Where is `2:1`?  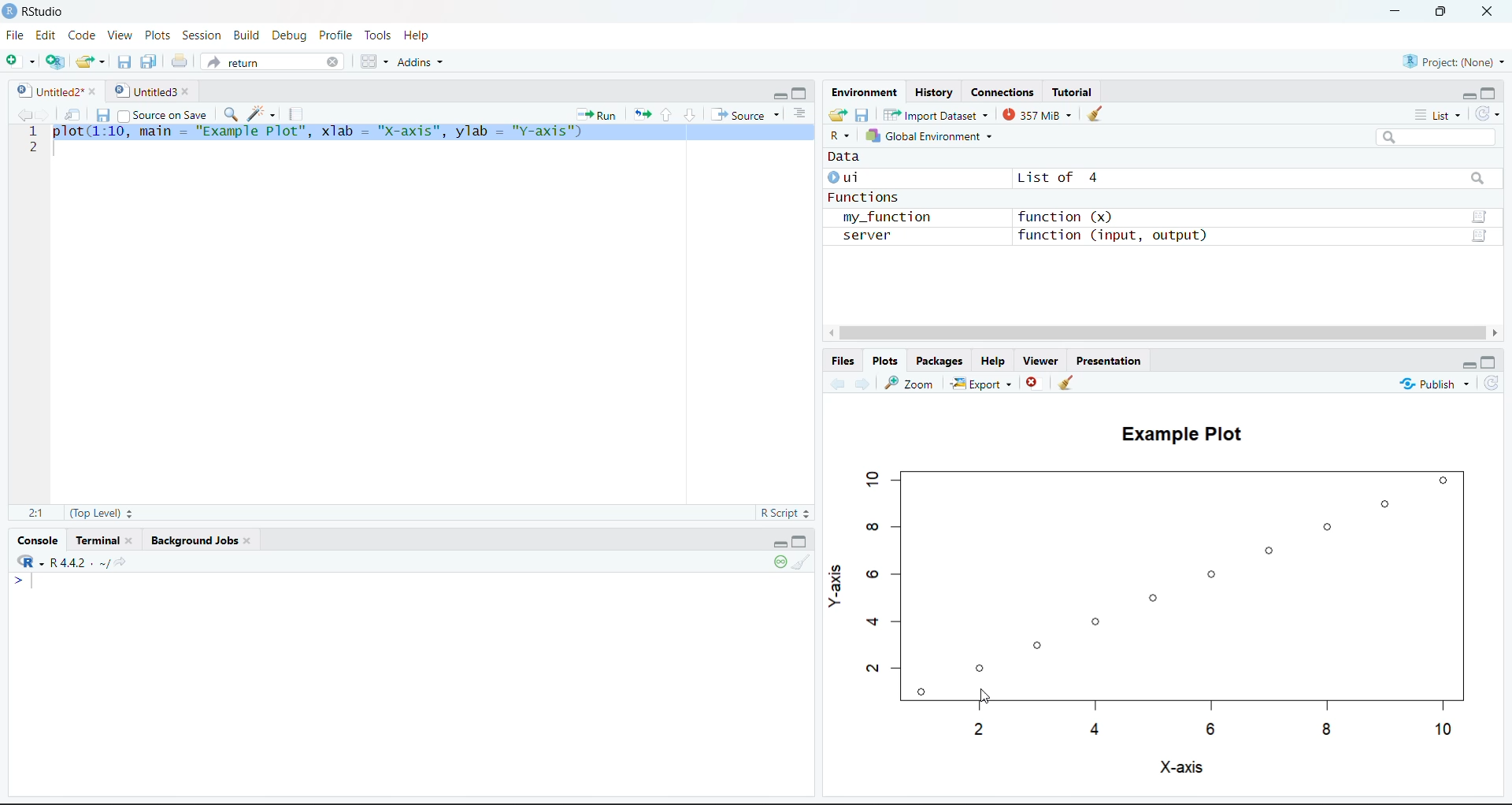
2:1 is located at coordinates (35, 512).